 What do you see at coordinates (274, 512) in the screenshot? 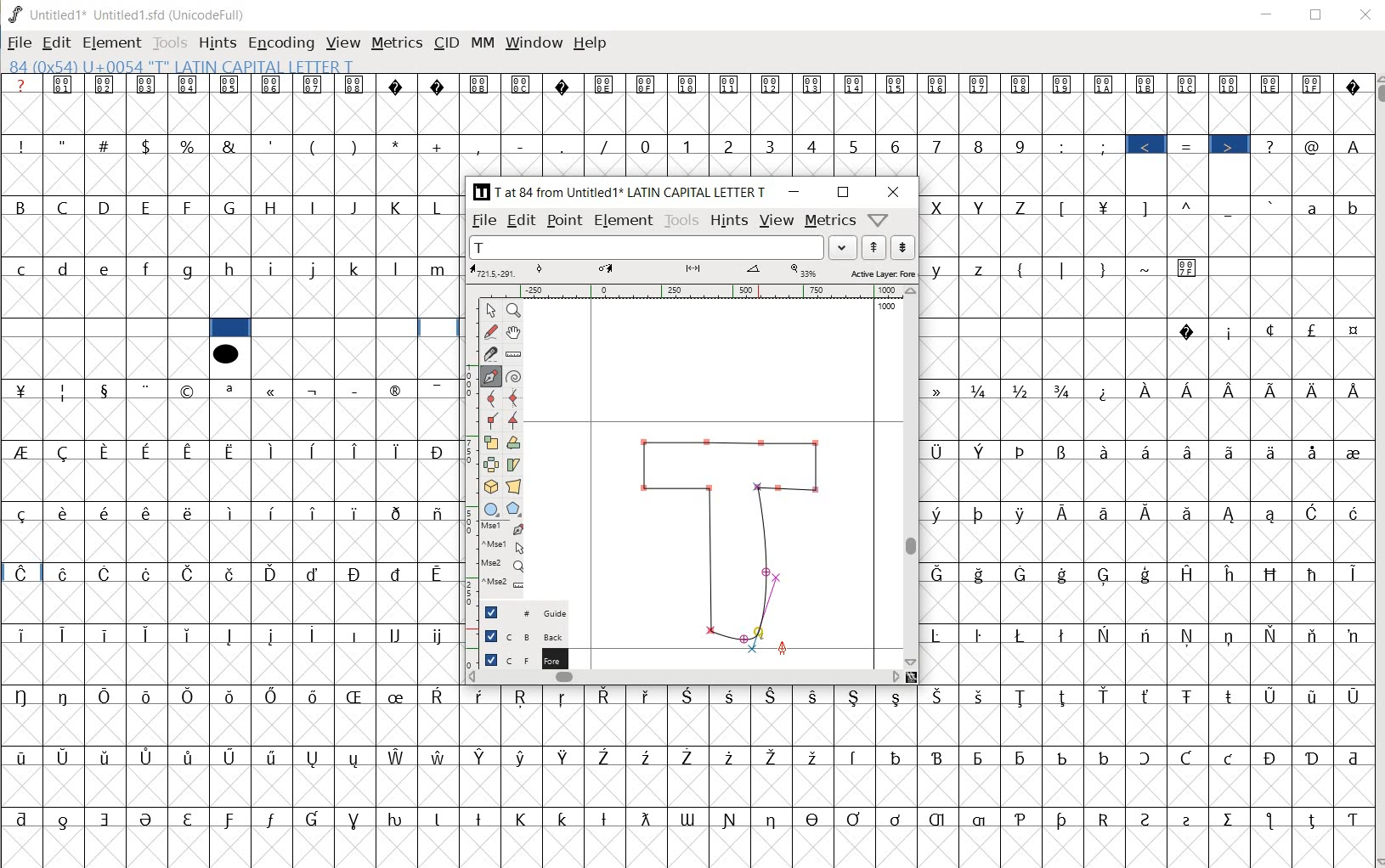
I see `Symbol` at bounding box center [274, 512].